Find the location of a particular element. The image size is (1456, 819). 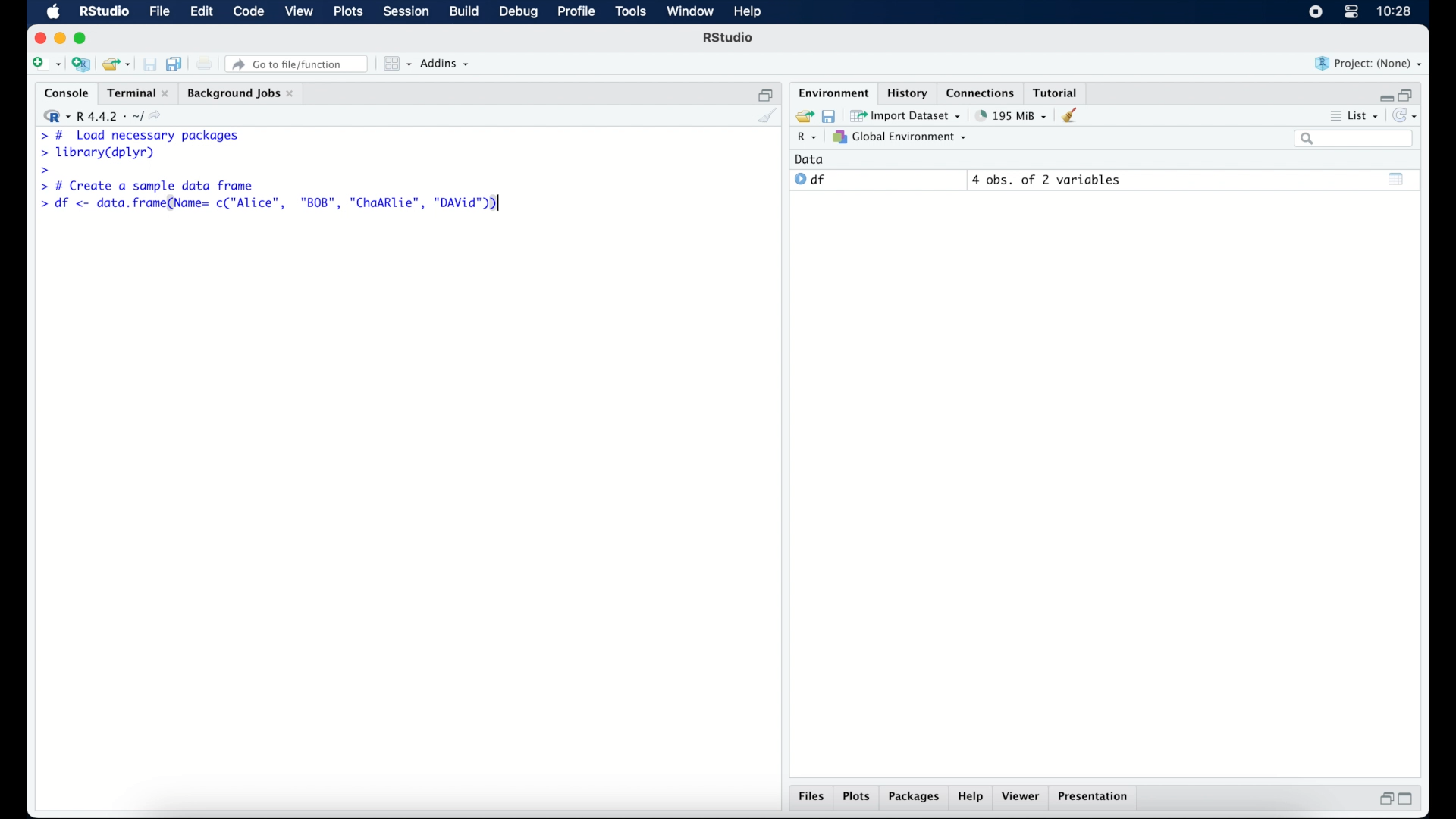

debug is located at coordinates (519, 13).